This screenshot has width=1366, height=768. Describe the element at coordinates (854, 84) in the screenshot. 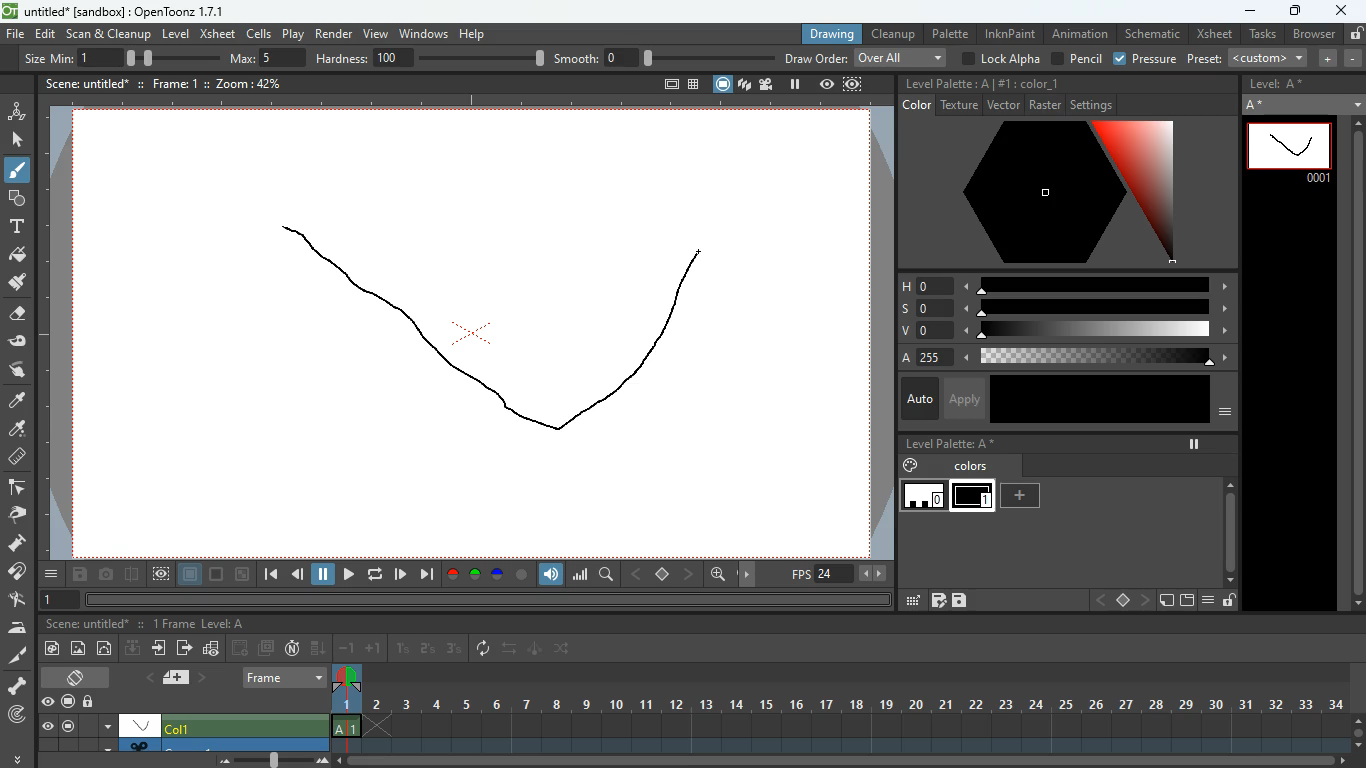

I see `frame` at that location.